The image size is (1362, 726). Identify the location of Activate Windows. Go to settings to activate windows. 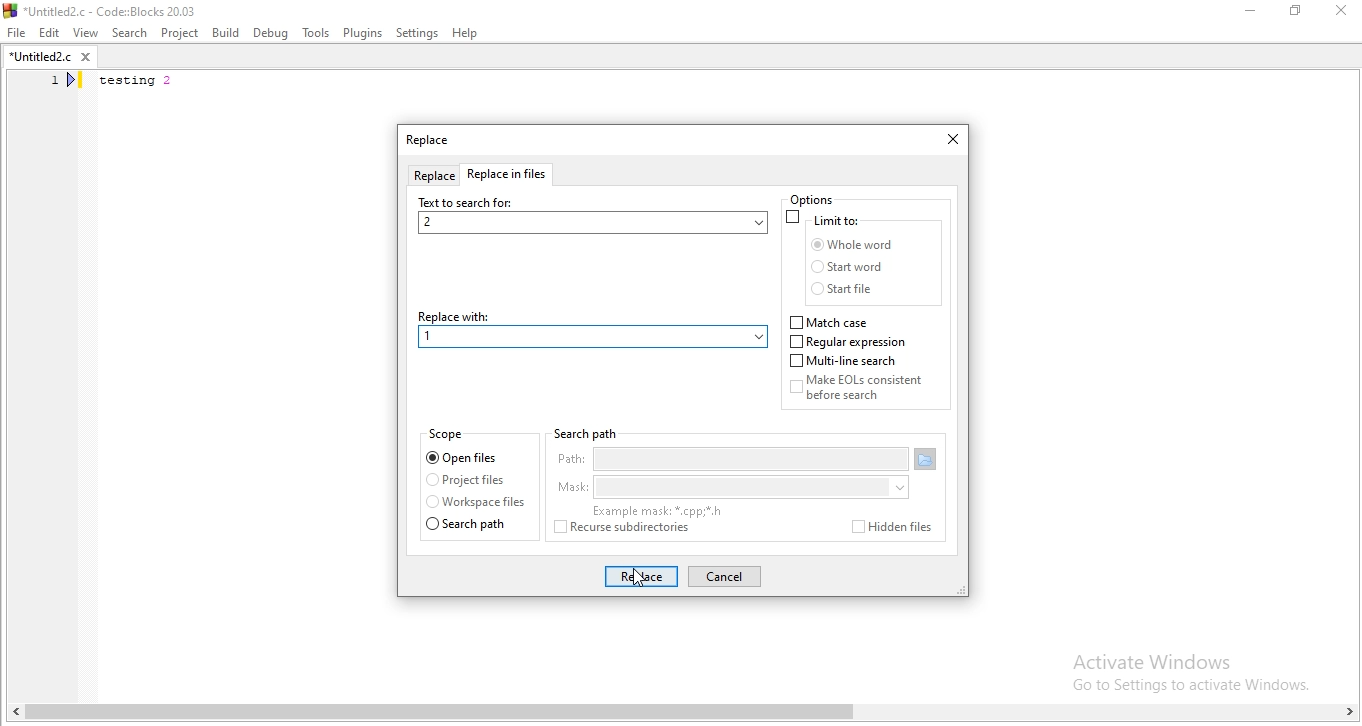
(1178, 669).